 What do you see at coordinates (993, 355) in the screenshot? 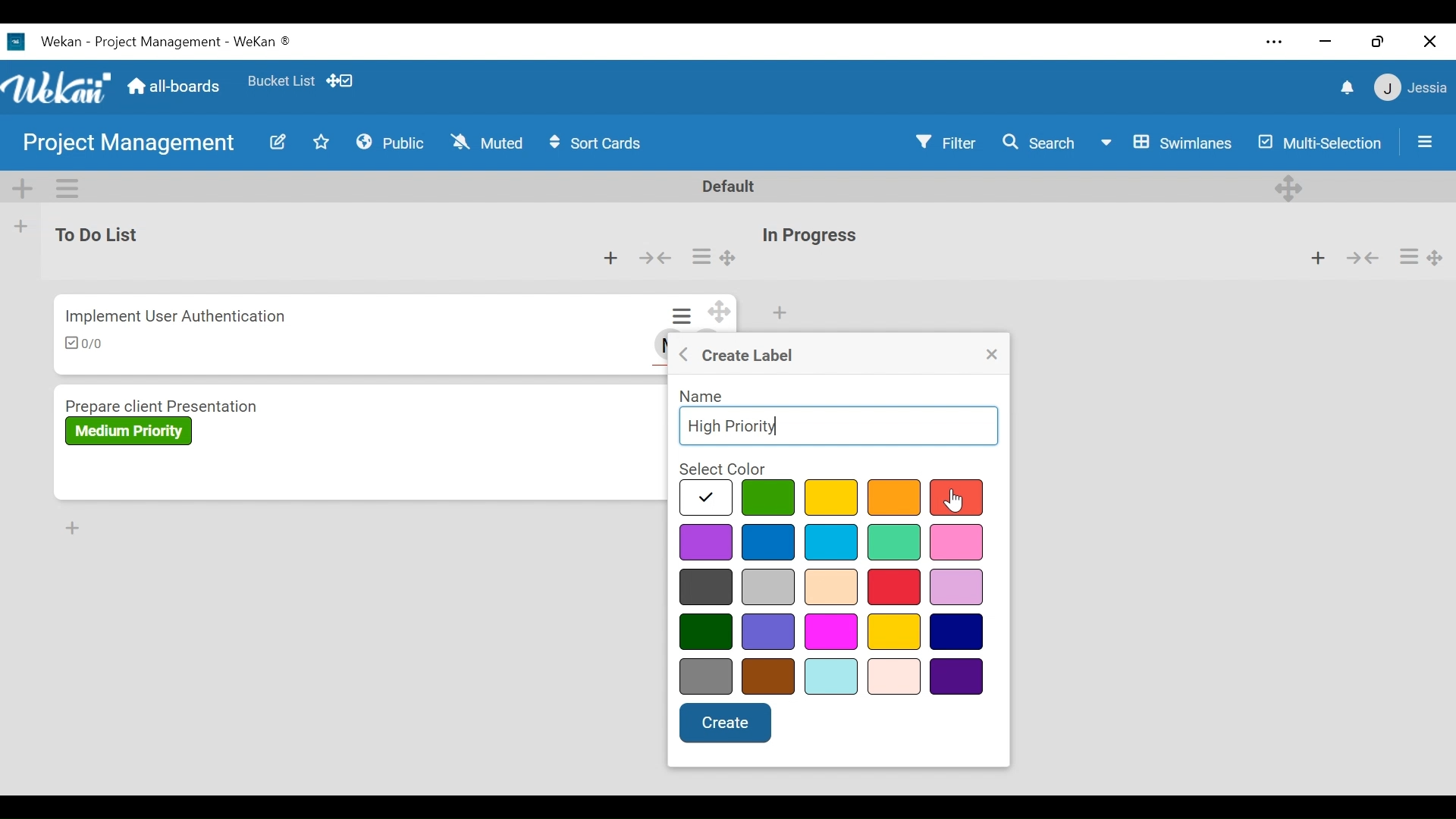
I see `Close` at bounding box center [993, 355].